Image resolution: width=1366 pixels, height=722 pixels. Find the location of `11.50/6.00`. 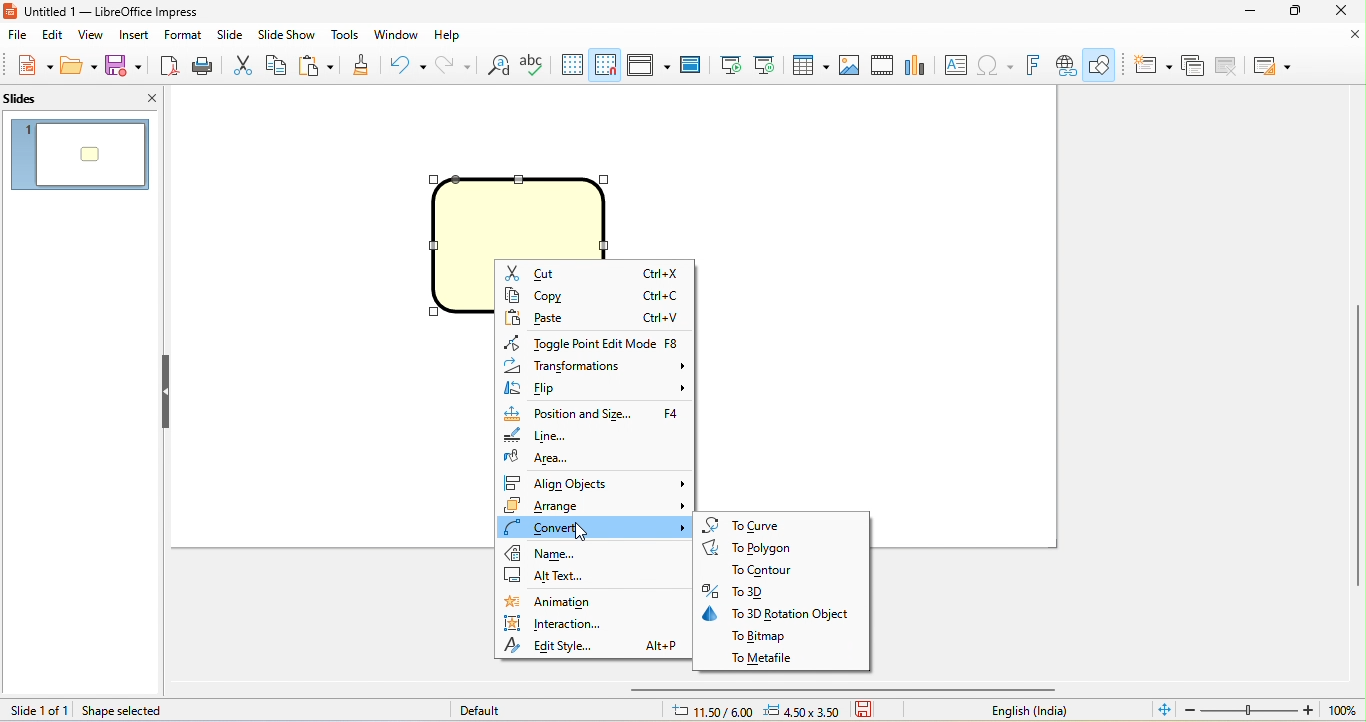

11.50/6.00 is located at coordinates (711, 710).